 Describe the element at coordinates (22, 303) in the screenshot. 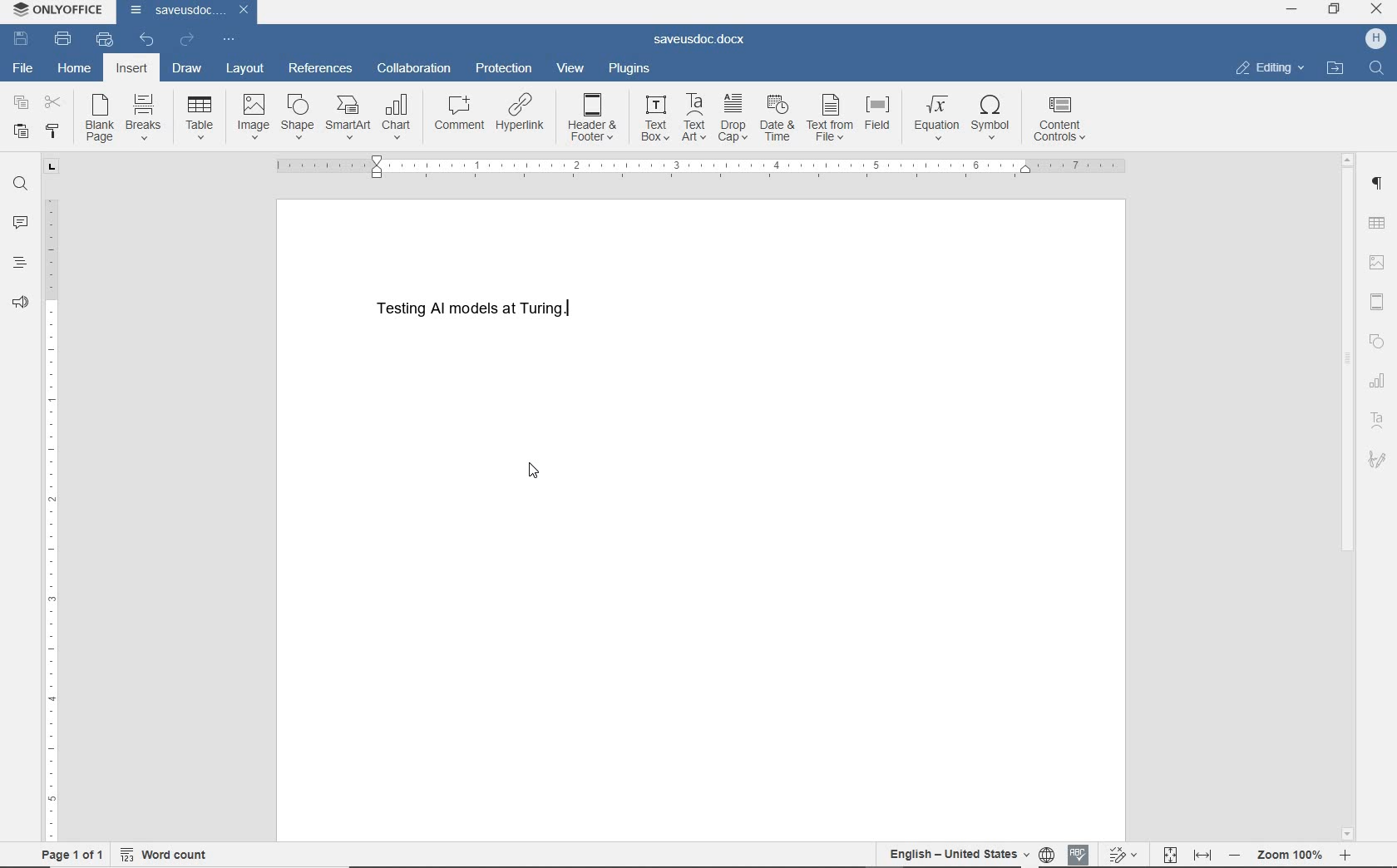

I see `feedback & support` at that location.